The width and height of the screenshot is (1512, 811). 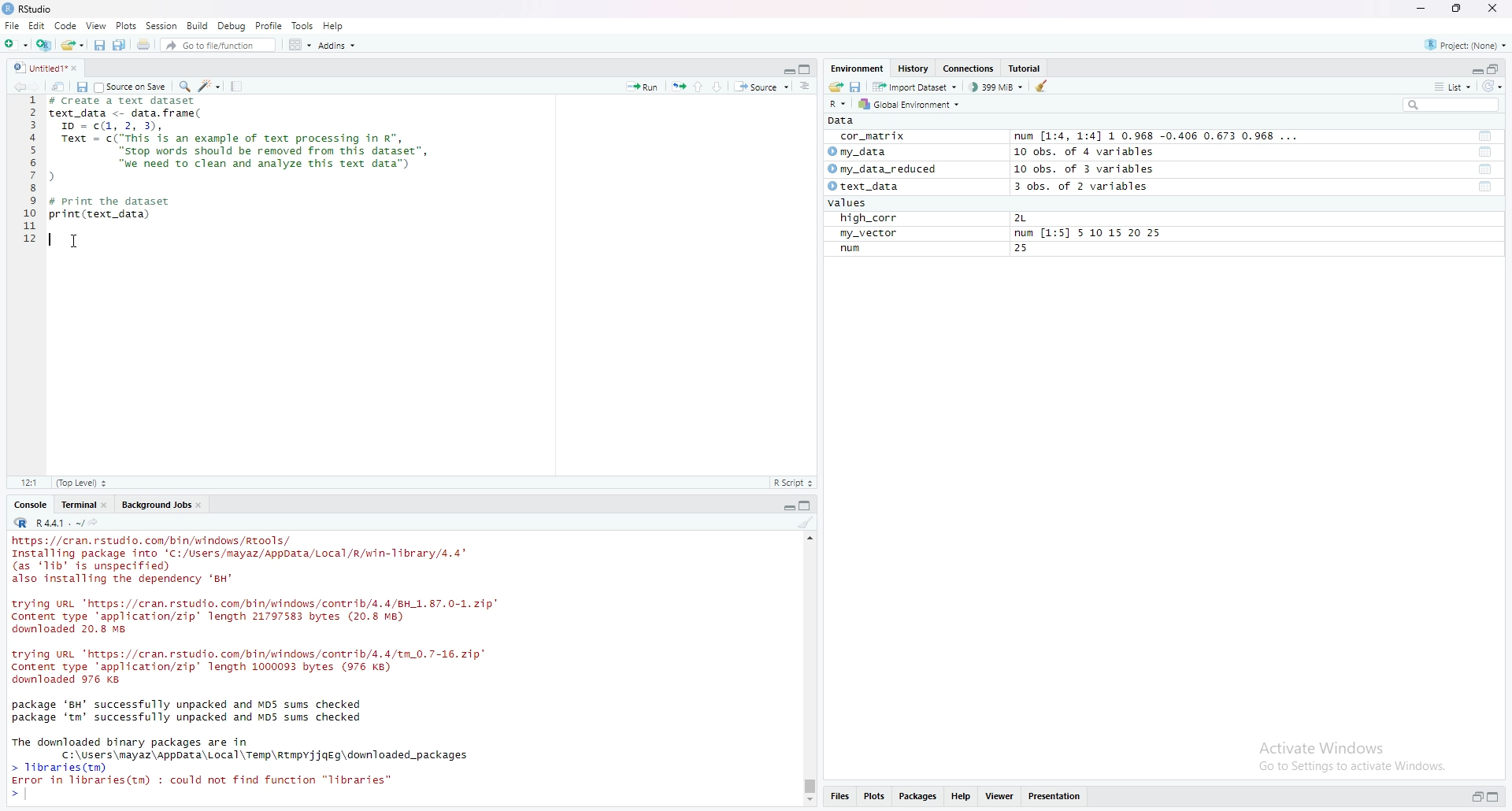 What do you see at coordinates (838, 104) in the screenshot?
I see `R` at bounding box center [838, 104].